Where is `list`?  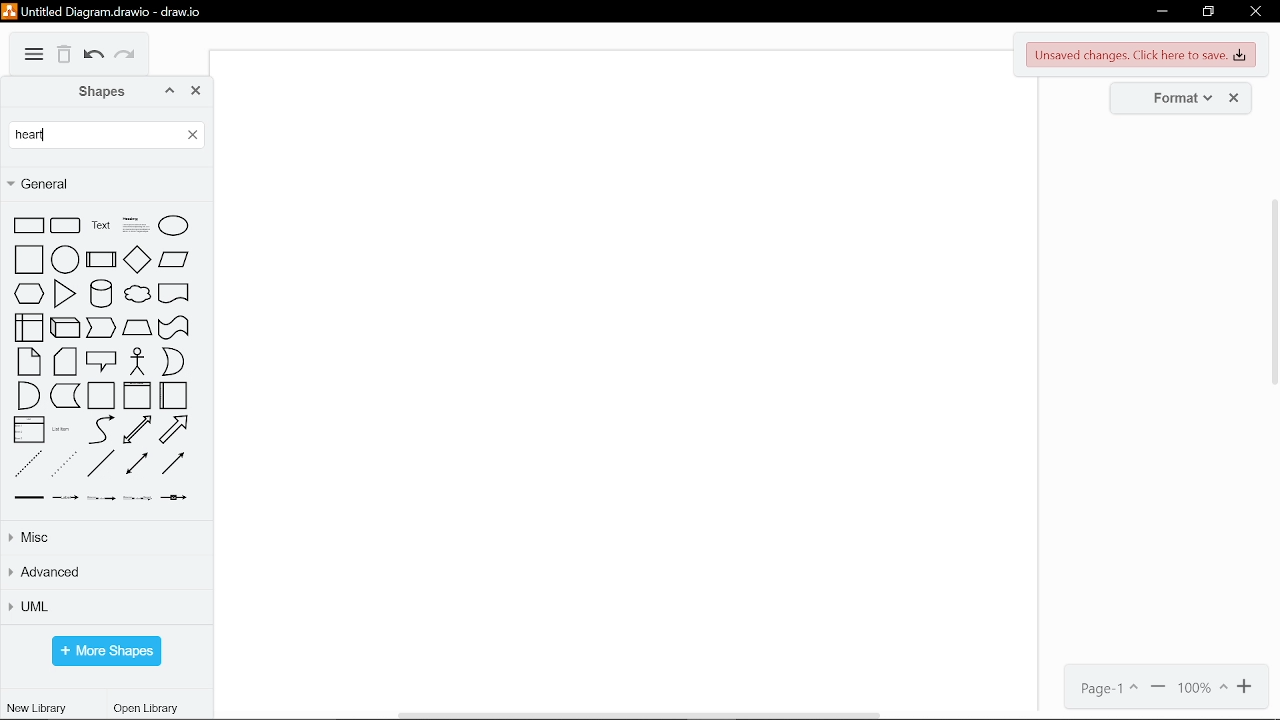
list is located at coordinates (30, 431).